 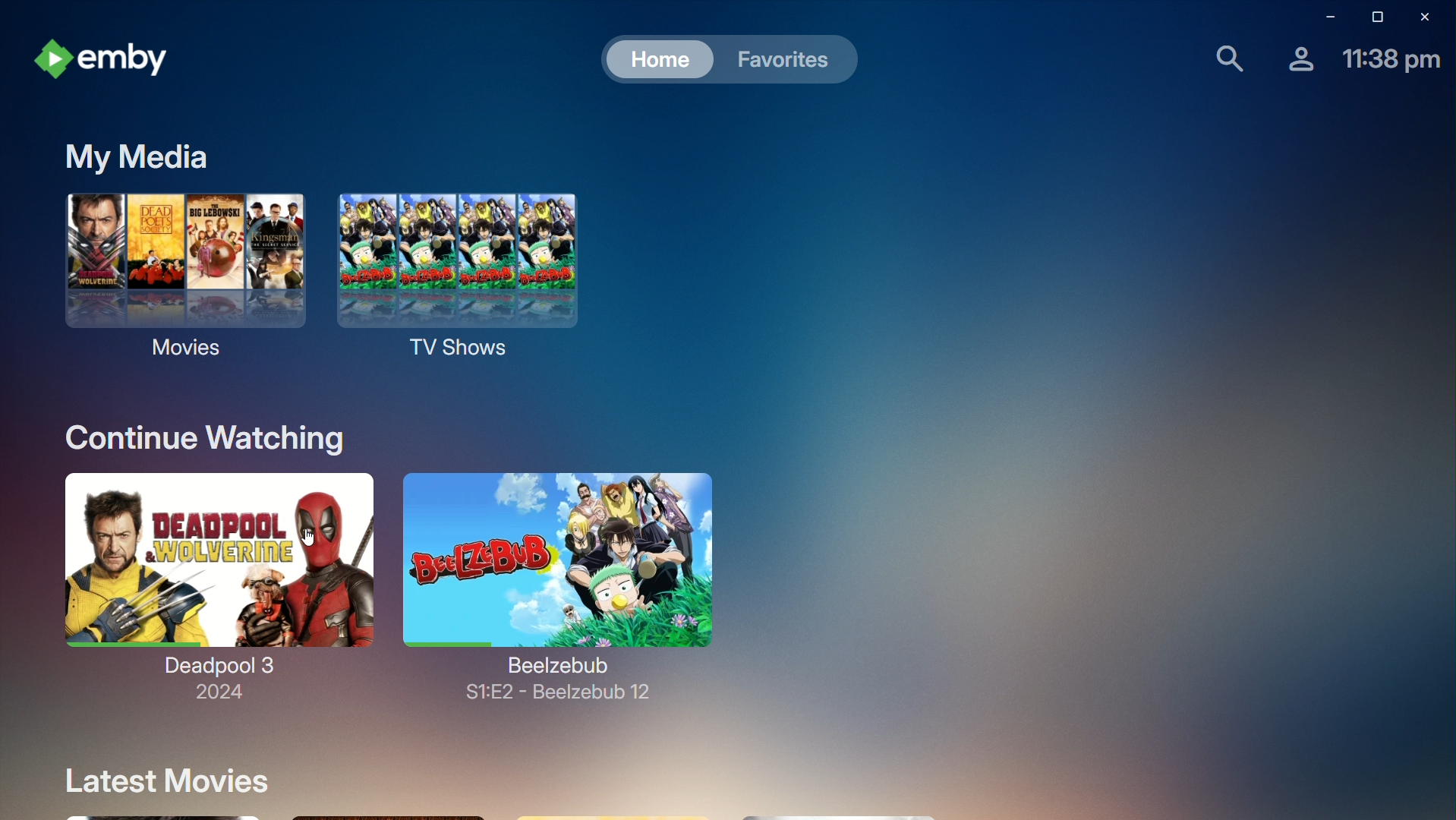 I want to click on Find, so click(x=1222, y=62).